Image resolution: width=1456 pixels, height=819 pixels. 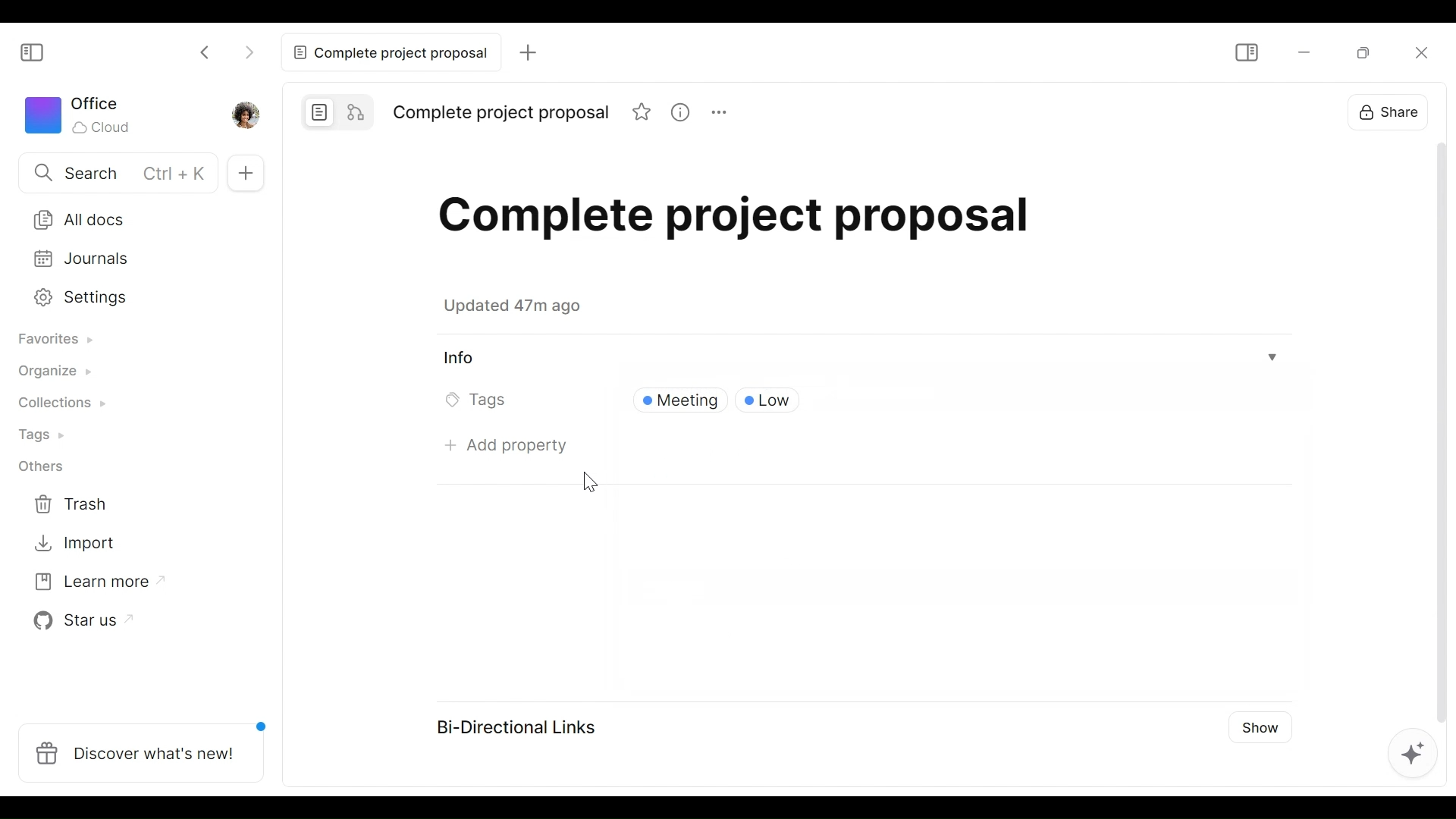 I want to click on Add Tab, so click(x=246, y=171).